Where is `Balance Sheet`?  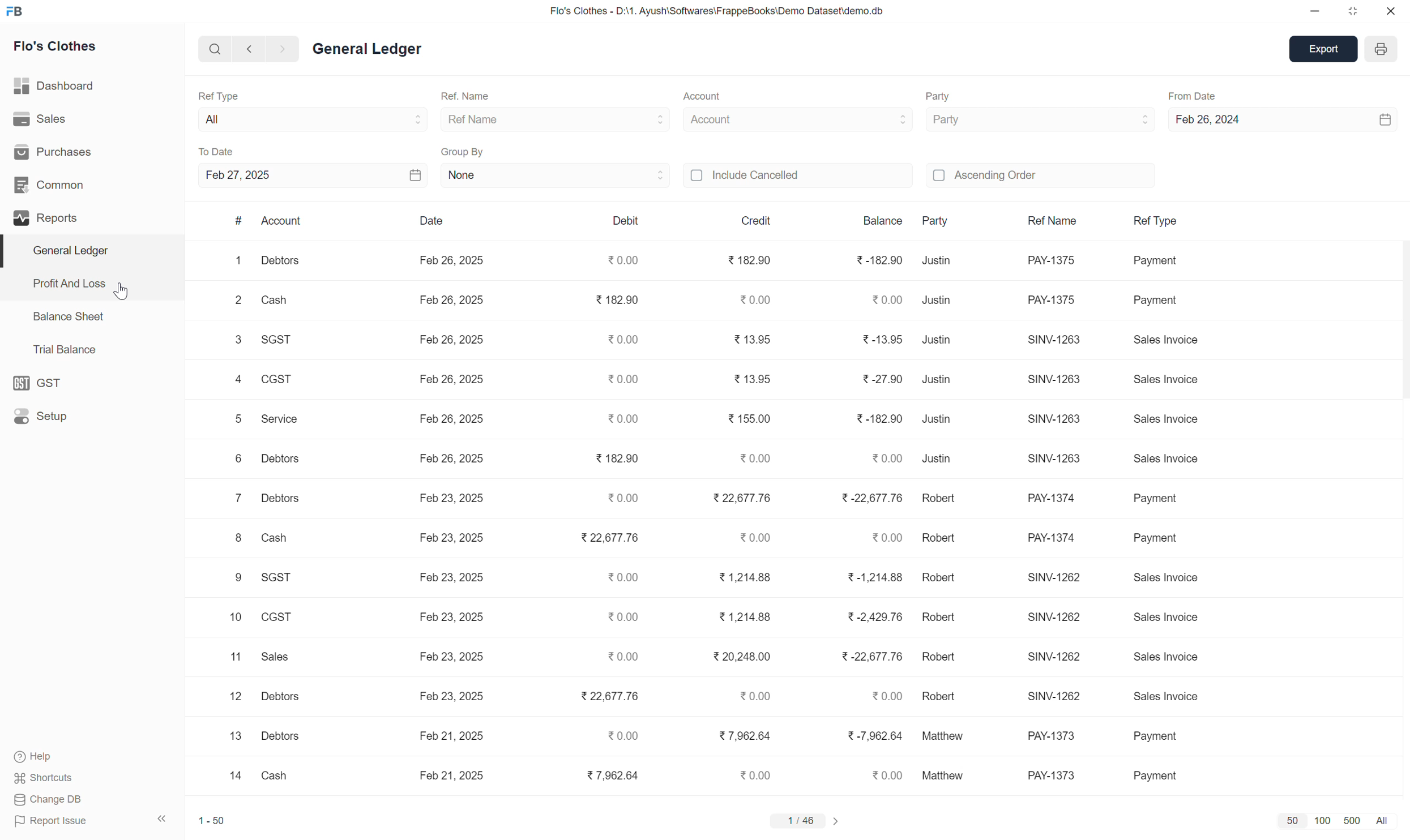 Balance Sheet is located at coordinates (70, 322).